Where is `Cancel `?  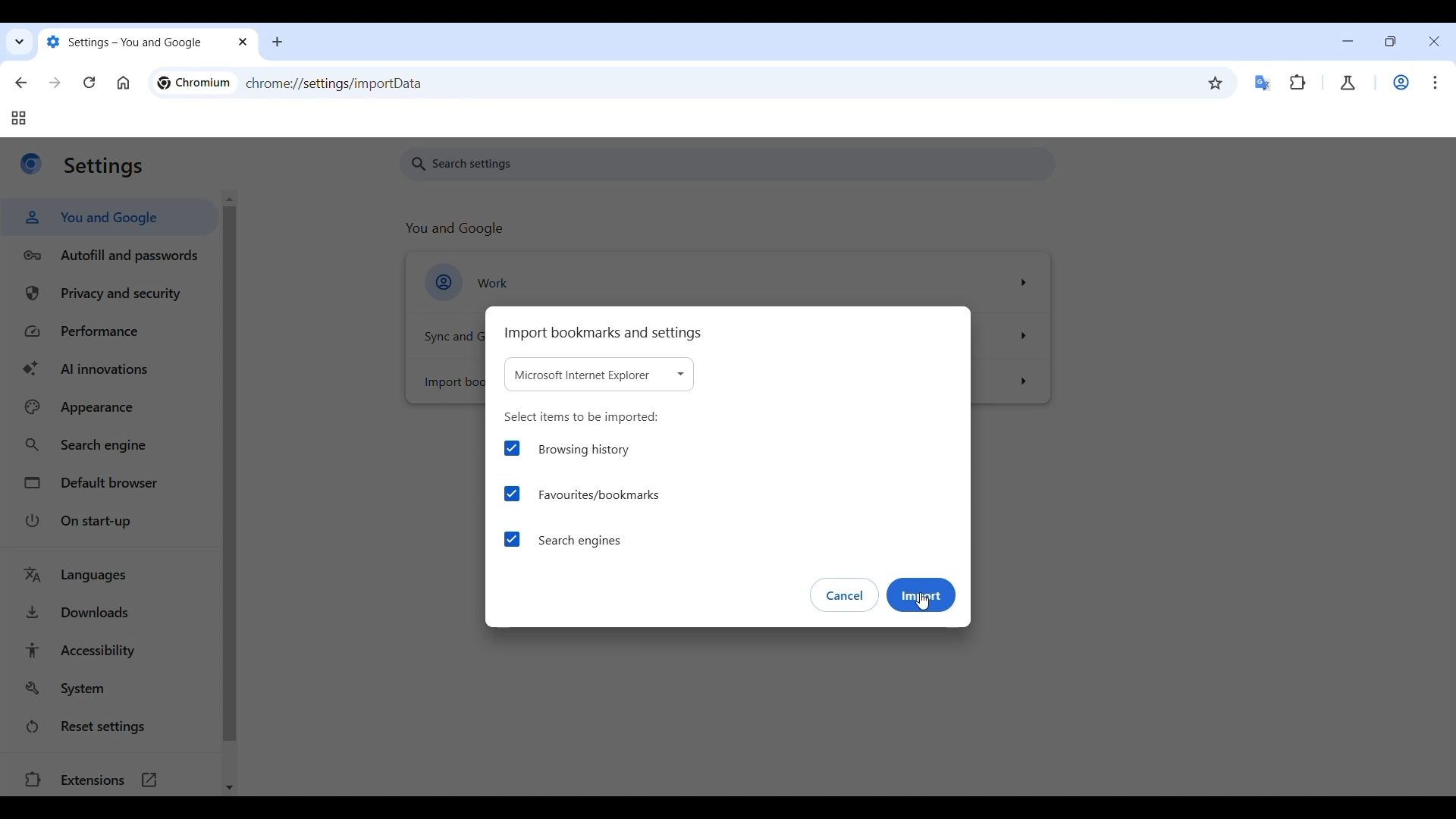
Cancel  is located at coordinates (845, 595).